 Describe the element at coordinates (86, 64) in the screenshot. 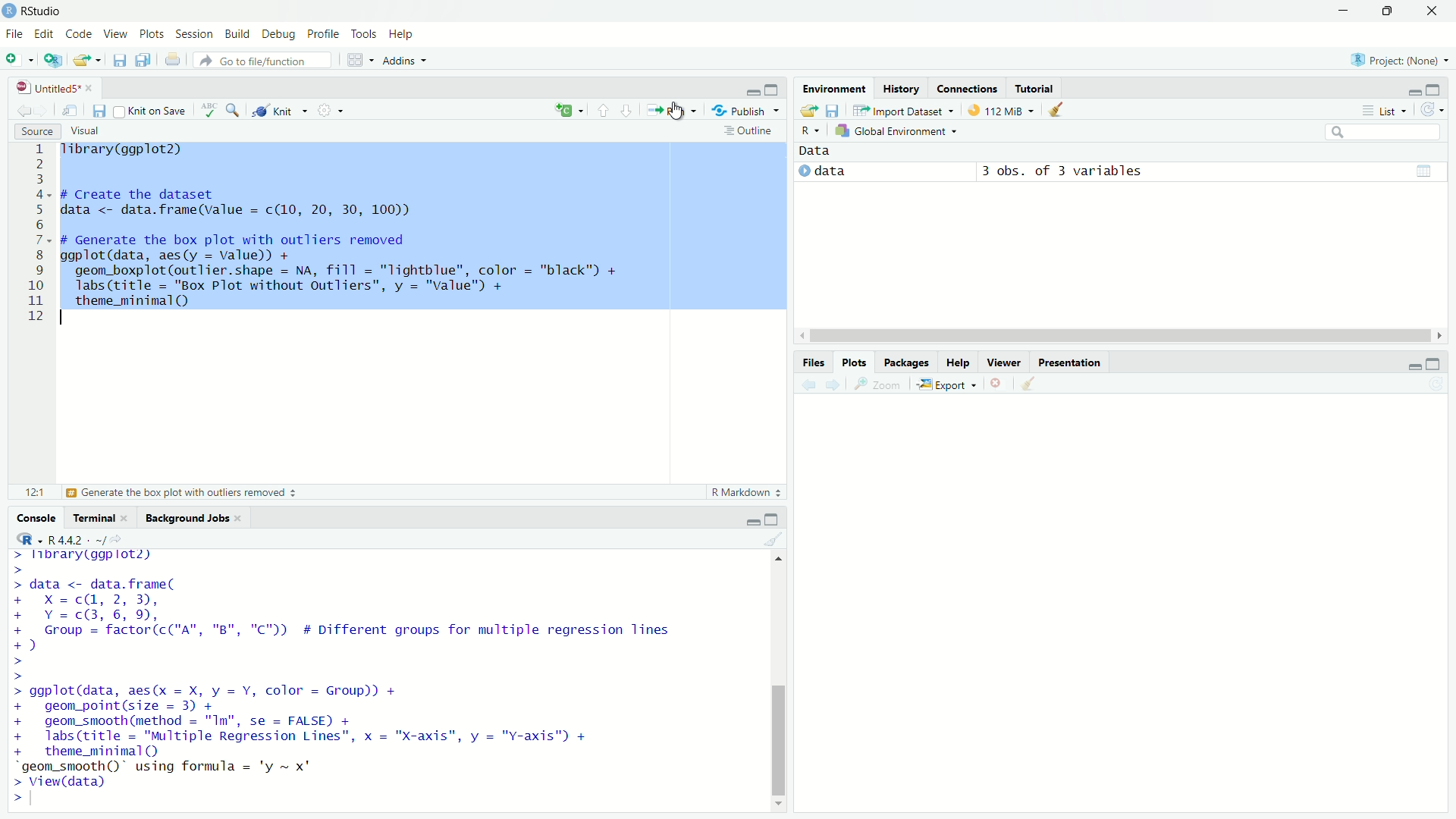

I see `export` at that location.